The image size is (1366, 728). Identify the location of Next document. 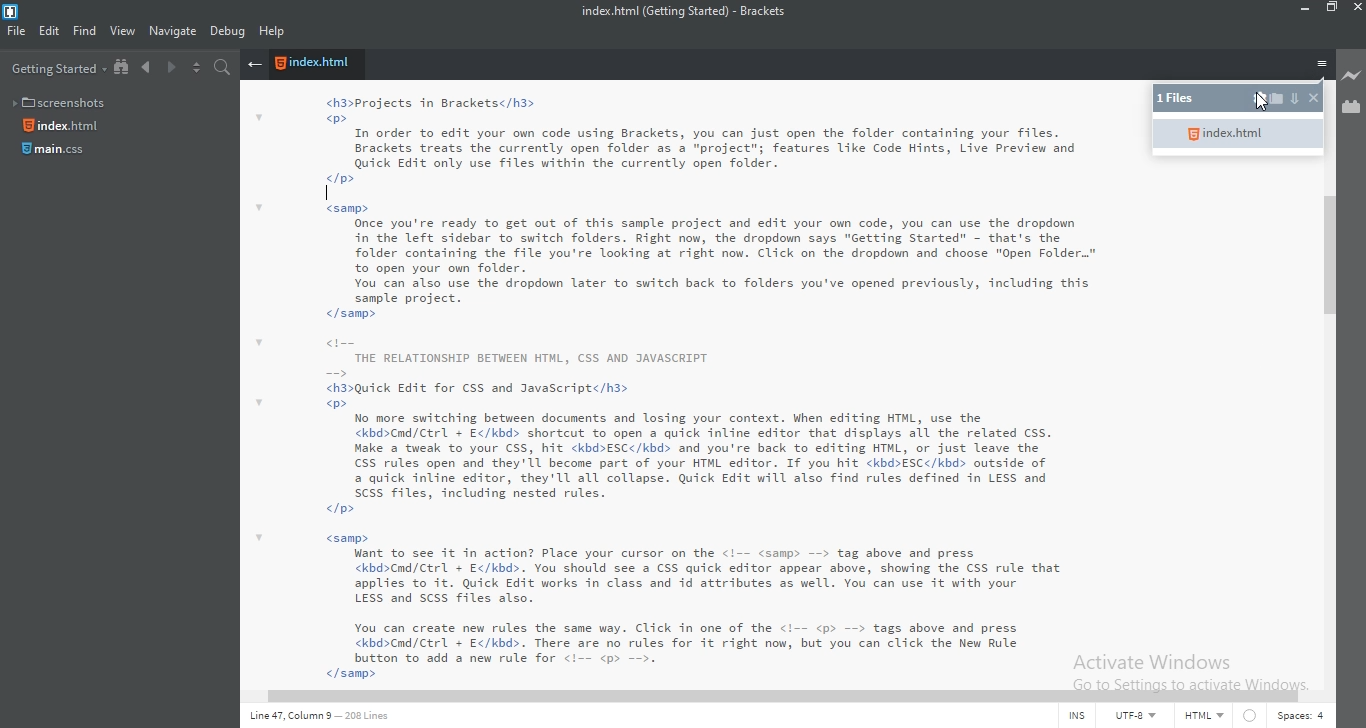
(170, 69).